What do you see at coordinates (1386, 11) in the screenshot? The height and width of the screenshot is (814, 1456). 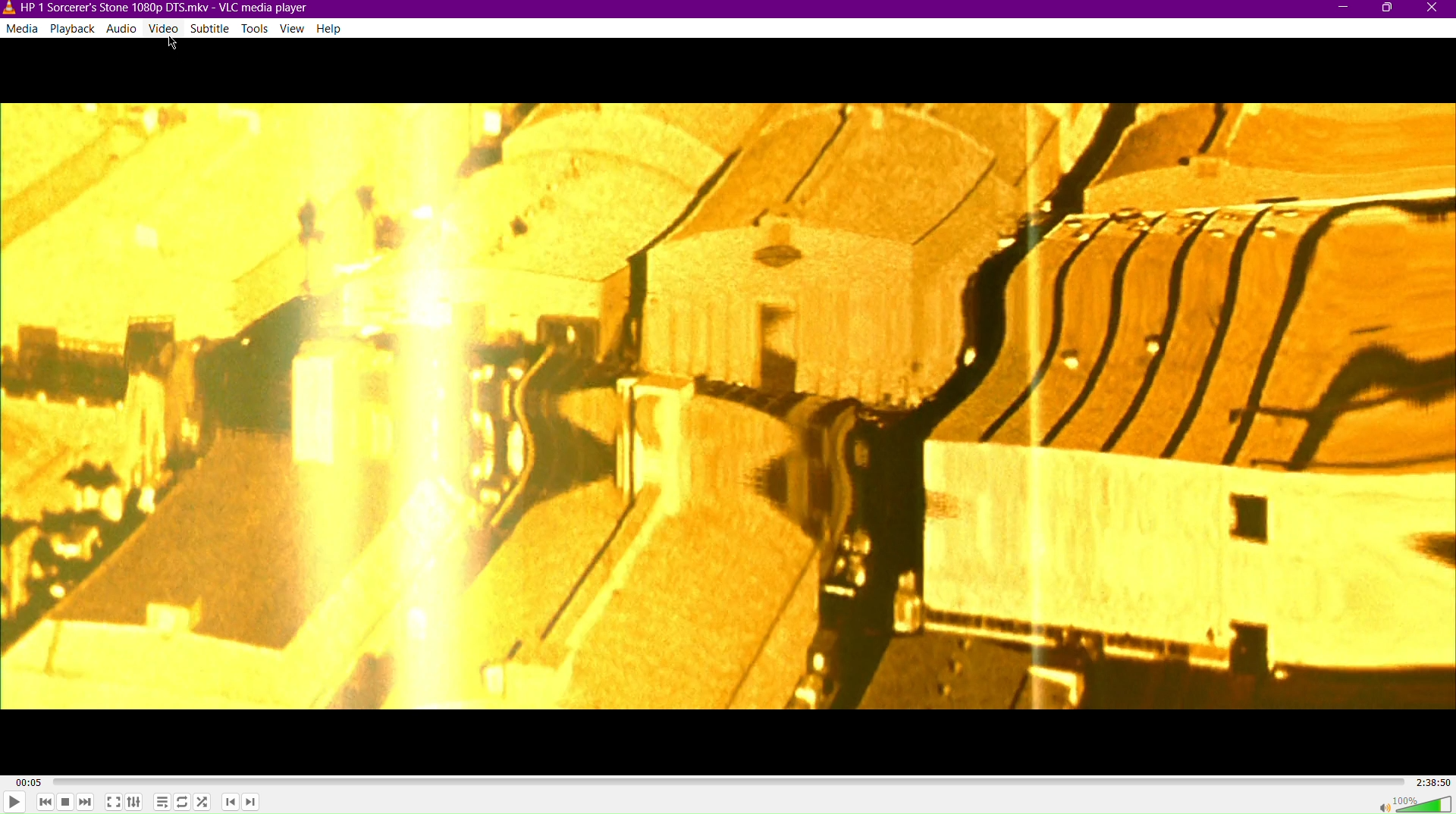 I see `Maximize` at bounding box center [1386, 11].